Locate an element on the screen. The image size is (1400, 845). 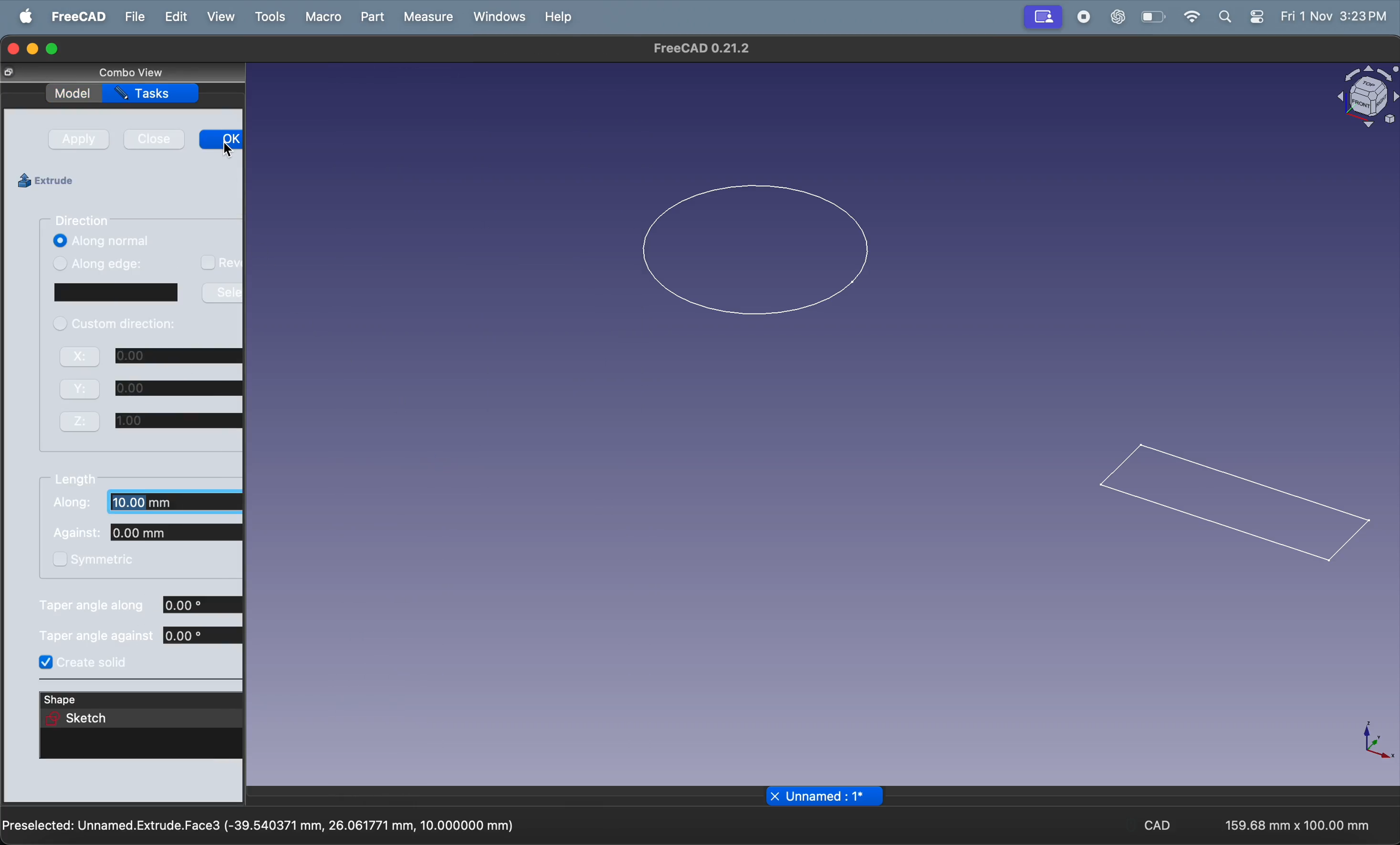
closing window is located at coordinates (12, 49).